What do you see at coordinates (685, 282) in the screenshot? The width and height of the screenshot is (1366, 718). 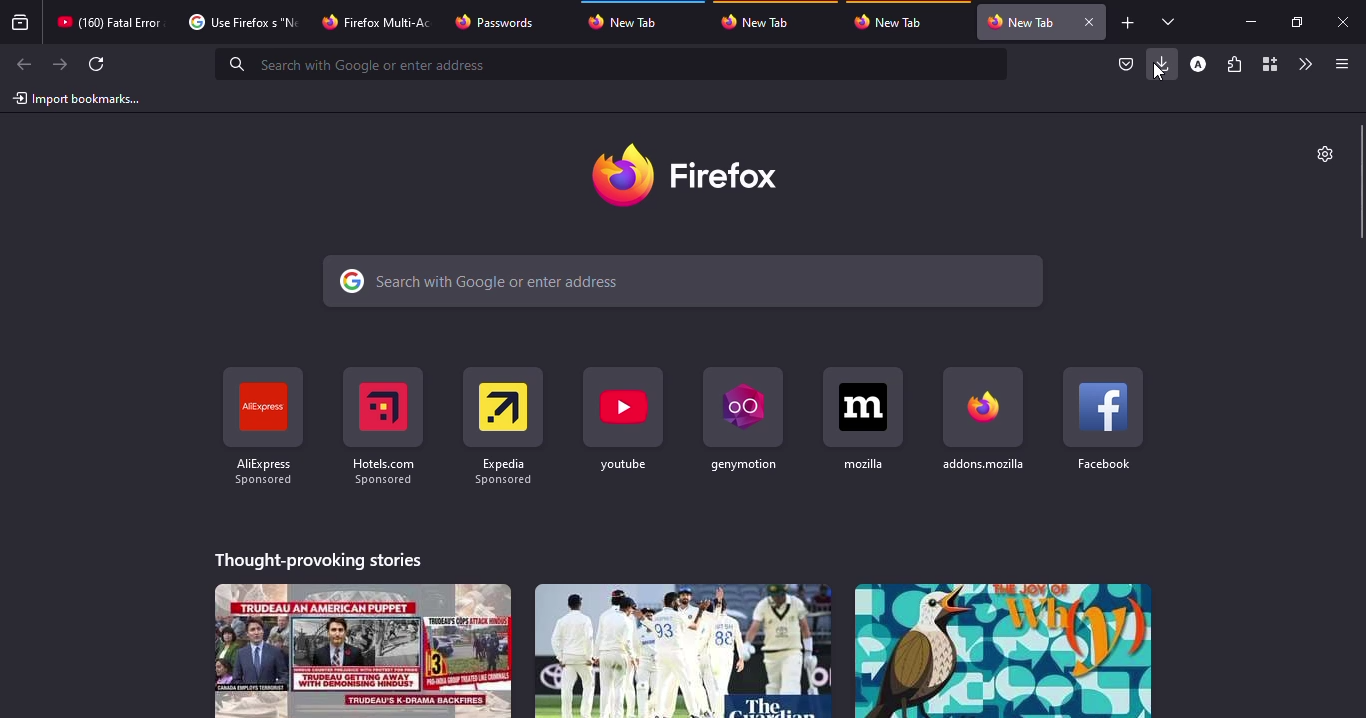 I see `search` at bounding box center [685, 282].